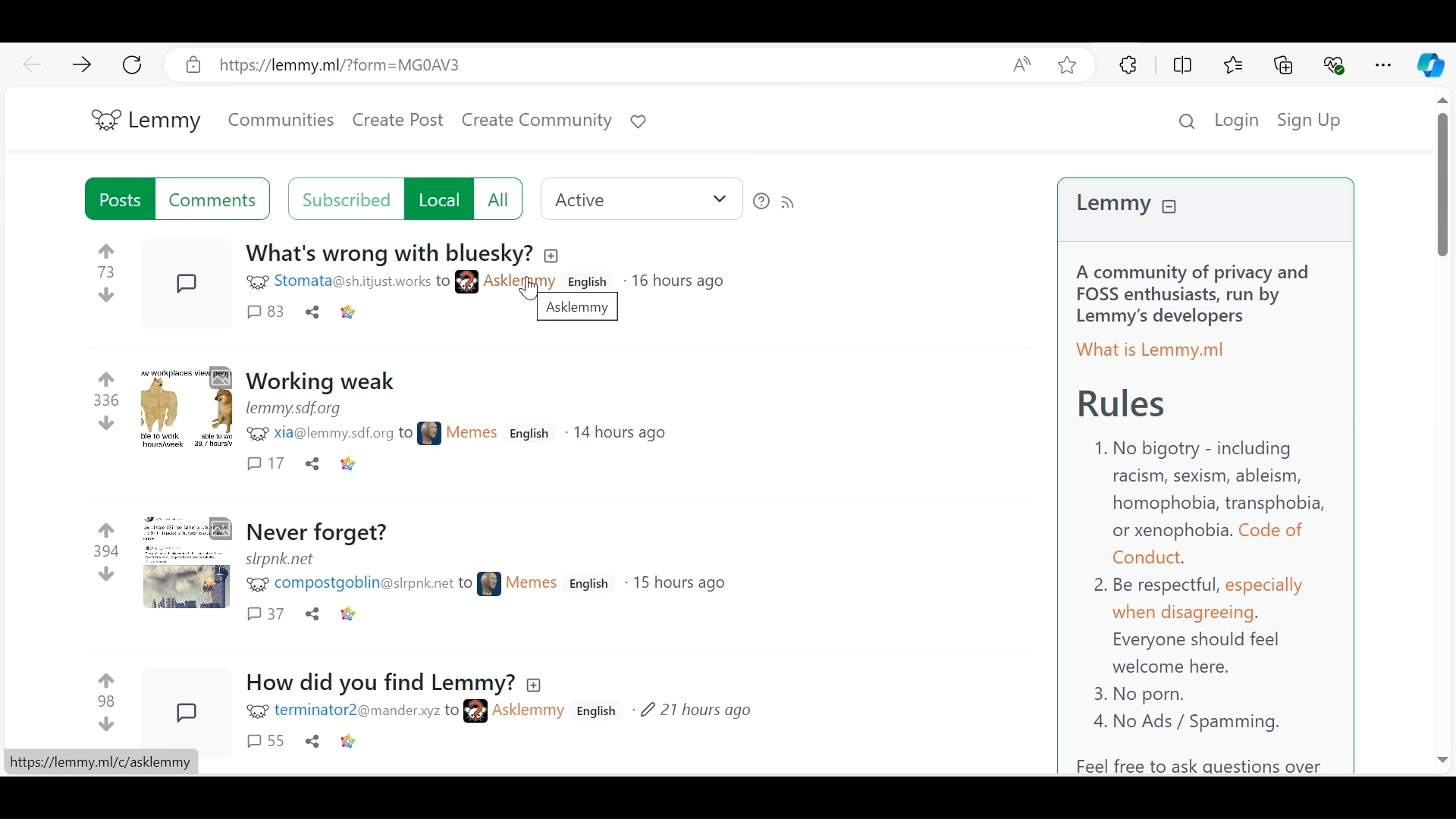  Describe the element at coordinates (349, 616) in the screenshot. I see `link` at that location.